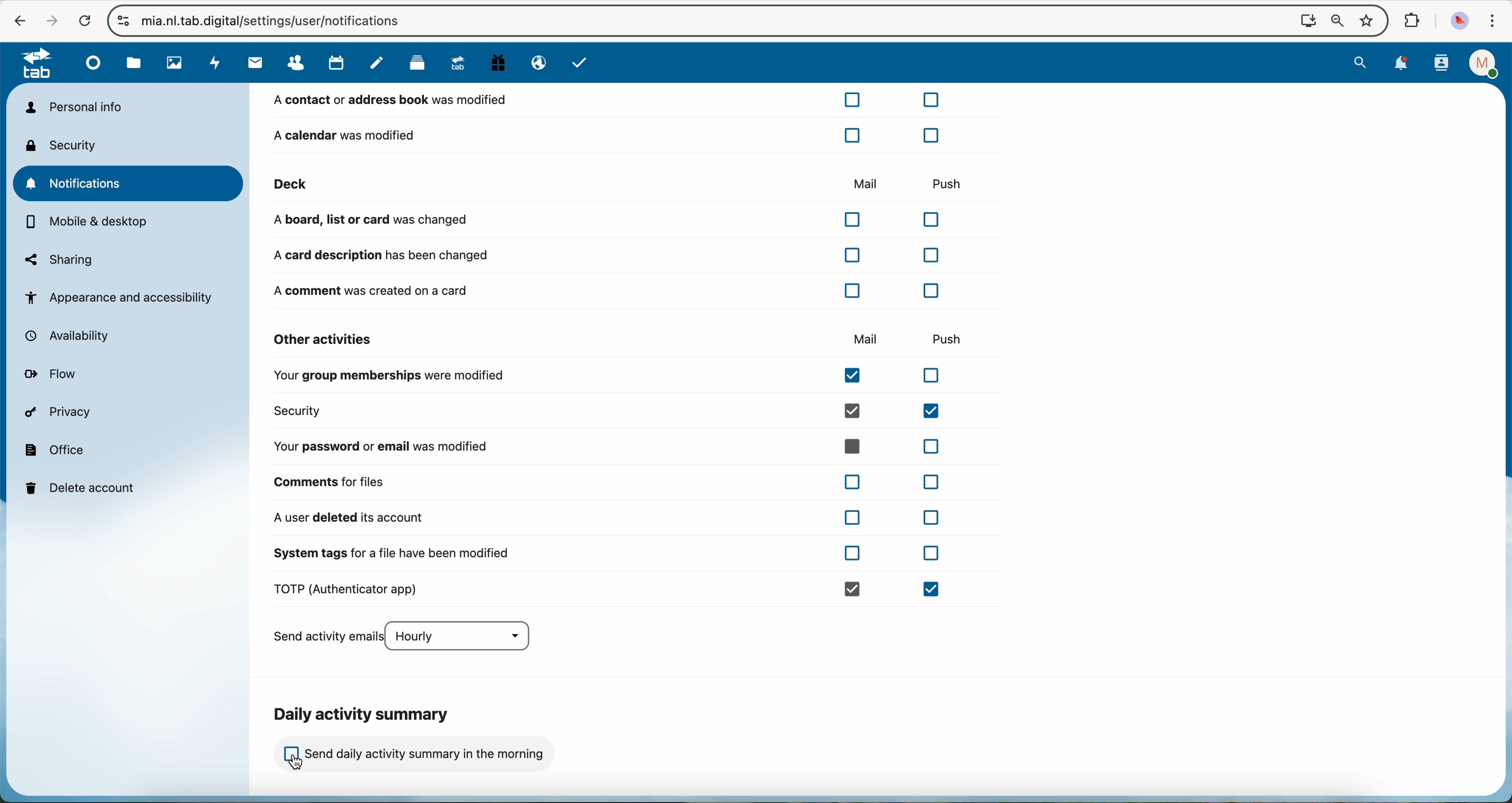 This screenshot has width=1512, height=803. Describe the element at coordinates (95, 67) in the screenshot. I see `dashboard` at that location.